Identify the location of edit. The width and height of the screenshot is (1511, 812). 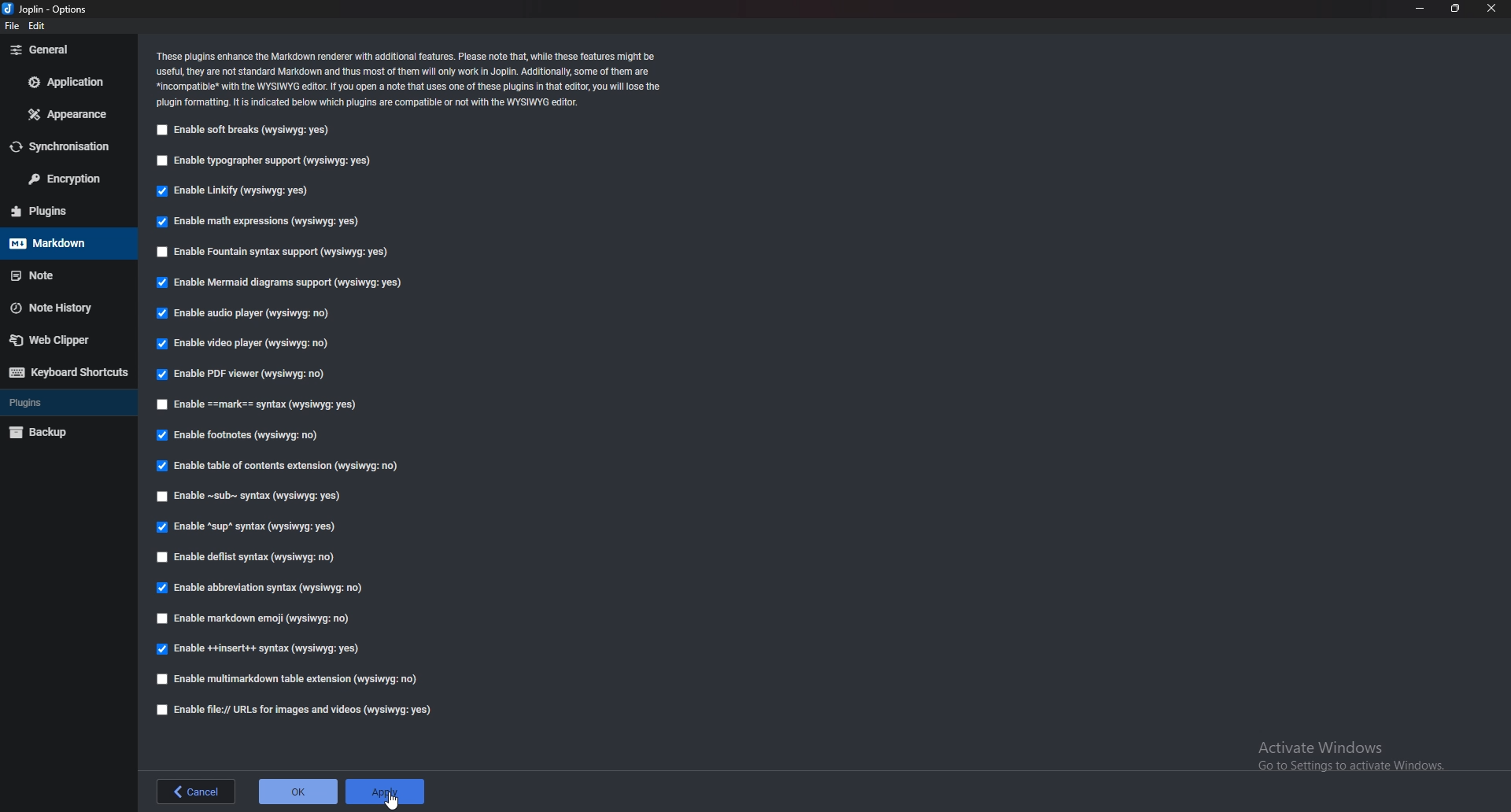
(39, 26).